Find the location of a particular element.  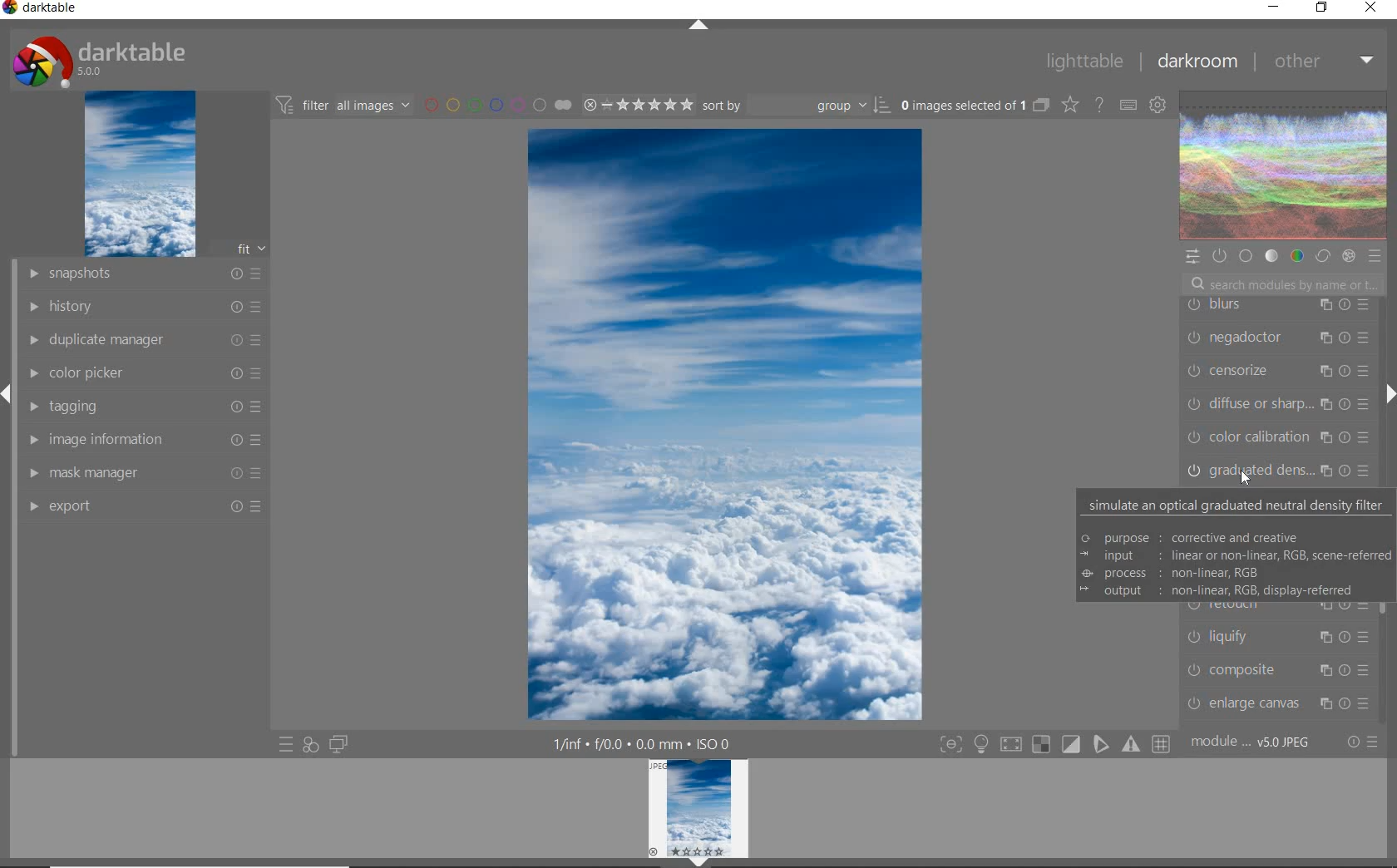

Down is located at coordinates (699, 862).